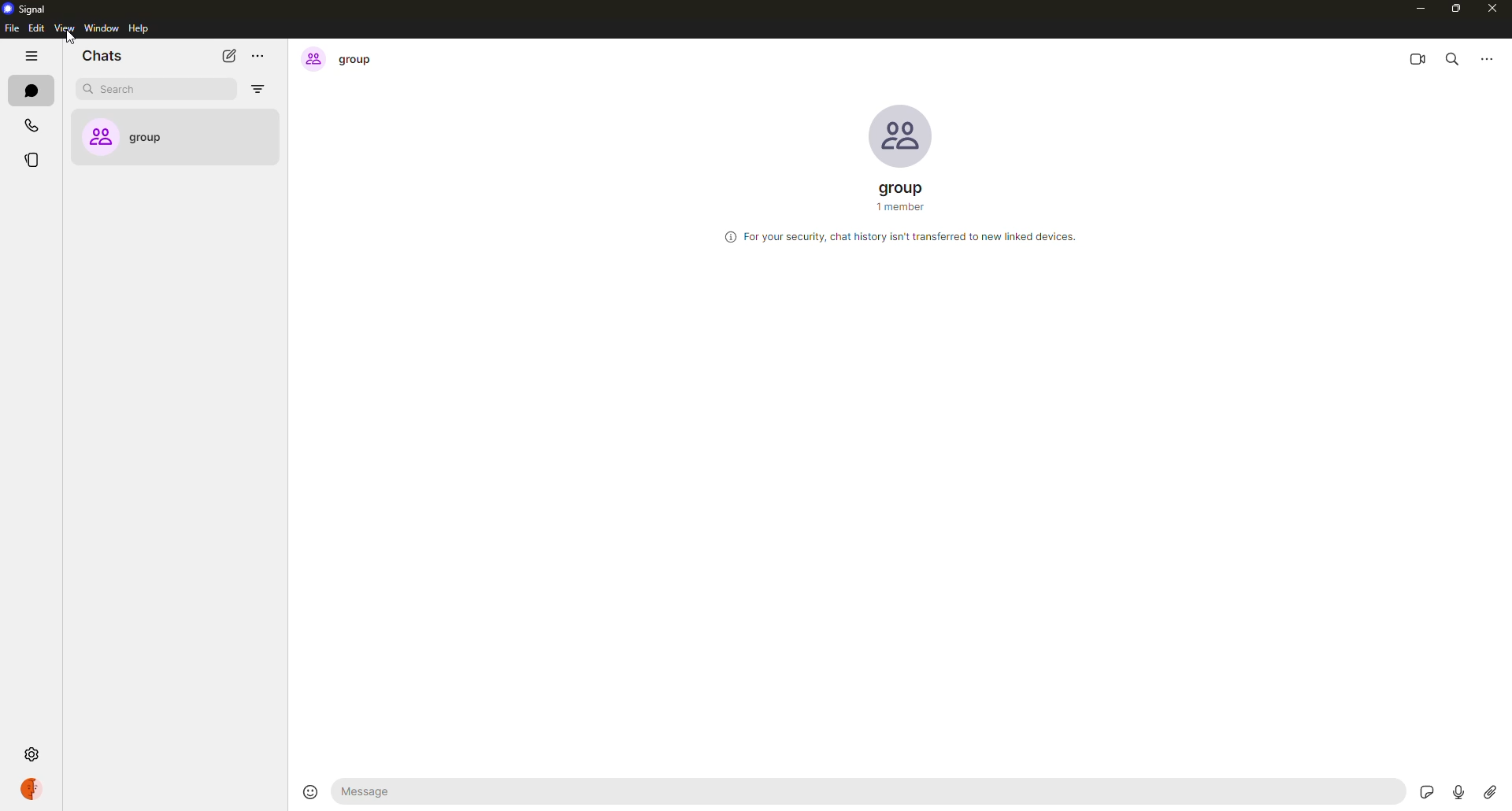 The height and width of the screenshot is (811, 1512). What do you see at coordinates (62, 28) in the screenshot?
I see `view` at bounding box center [62, 28].